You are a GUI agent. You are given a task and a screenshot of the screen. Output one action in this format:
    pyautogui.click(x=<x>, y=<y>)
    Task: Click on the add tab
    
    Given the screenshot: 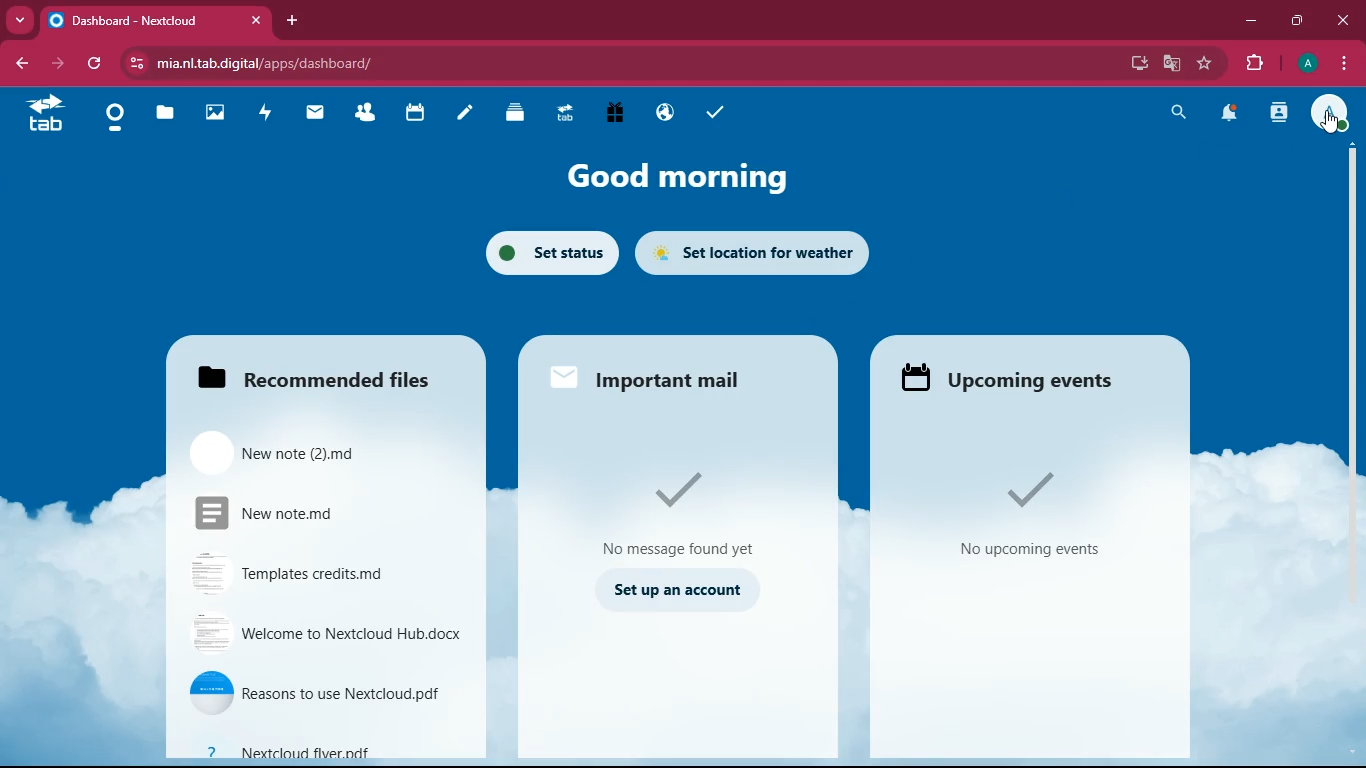 What is the action you would take?
    pyautogui.click(x=292, y=21)
    